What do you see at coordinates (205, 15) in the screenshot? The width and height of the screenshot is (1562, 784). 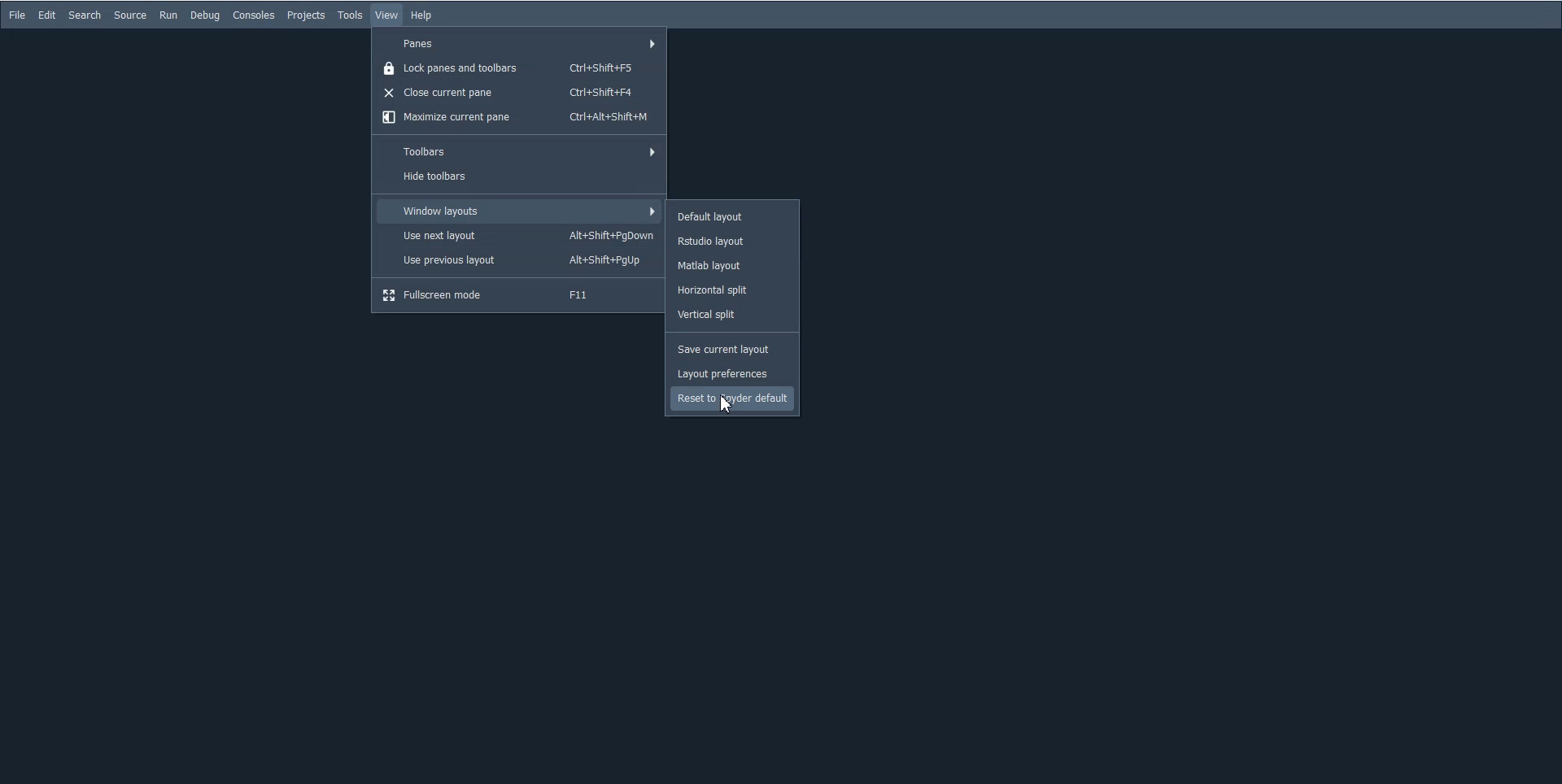 I see `Debug` at bounding box center [205, 15].